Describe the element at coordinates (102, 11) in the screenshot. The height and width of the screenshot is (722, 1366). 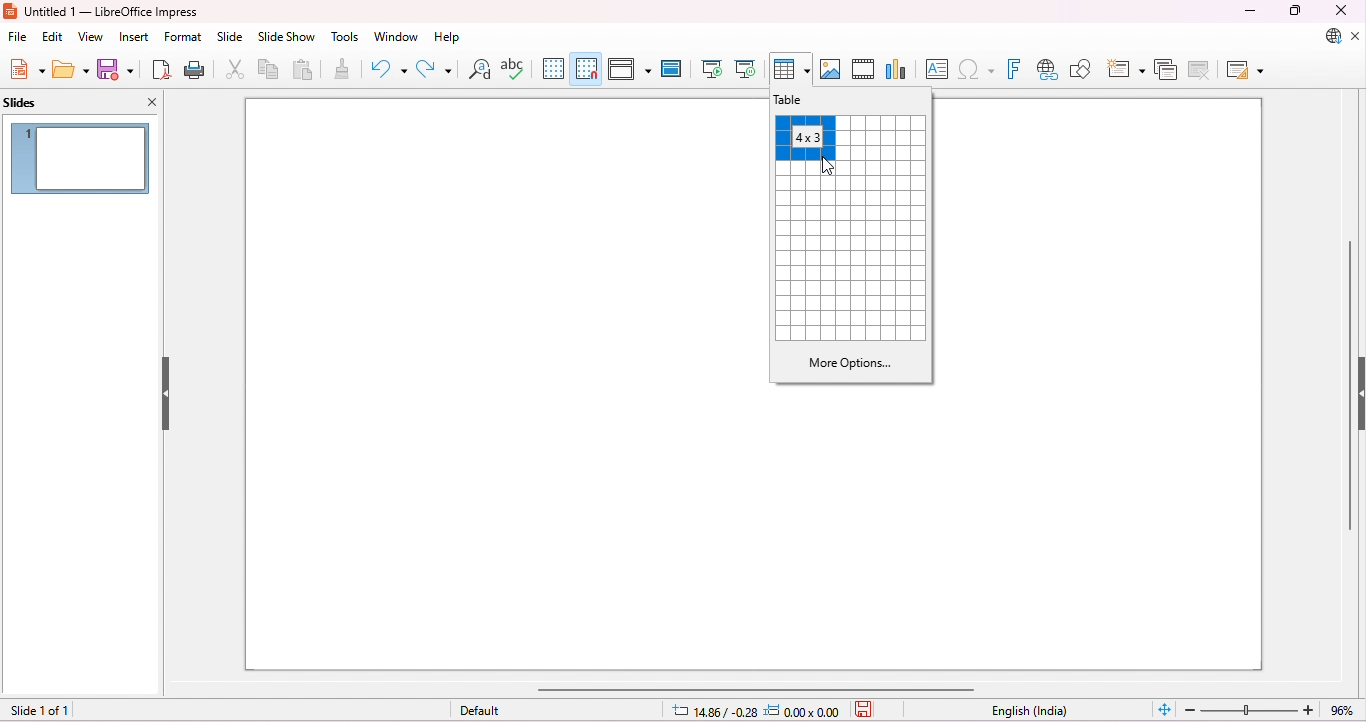
I see `untitled 1- libreoffice impress` at that location.